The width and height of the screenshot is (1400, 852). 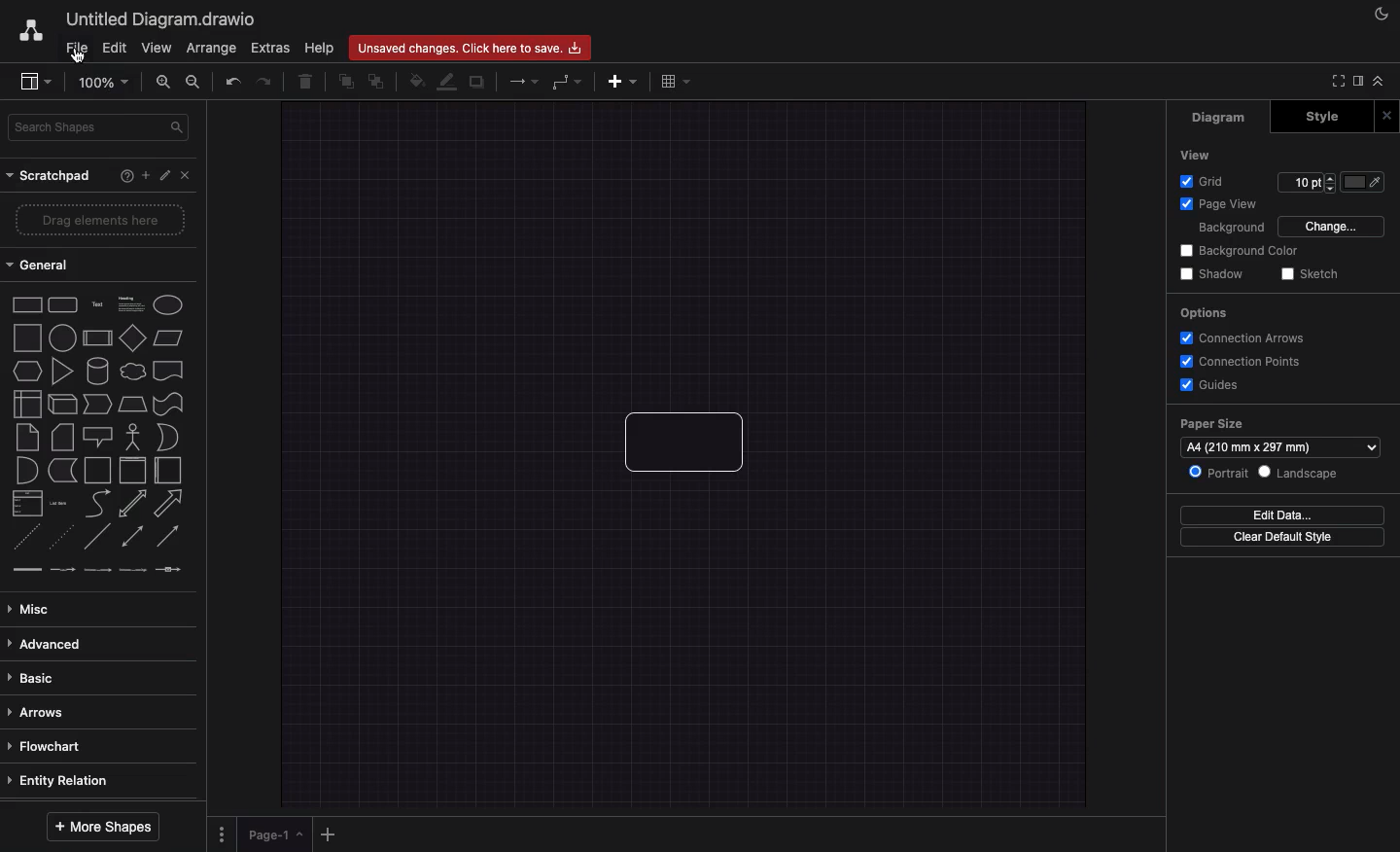 What do you see at coordinates (75, 56) in the screenshot?
I see `Cursor` at bounding box center [75, 56].